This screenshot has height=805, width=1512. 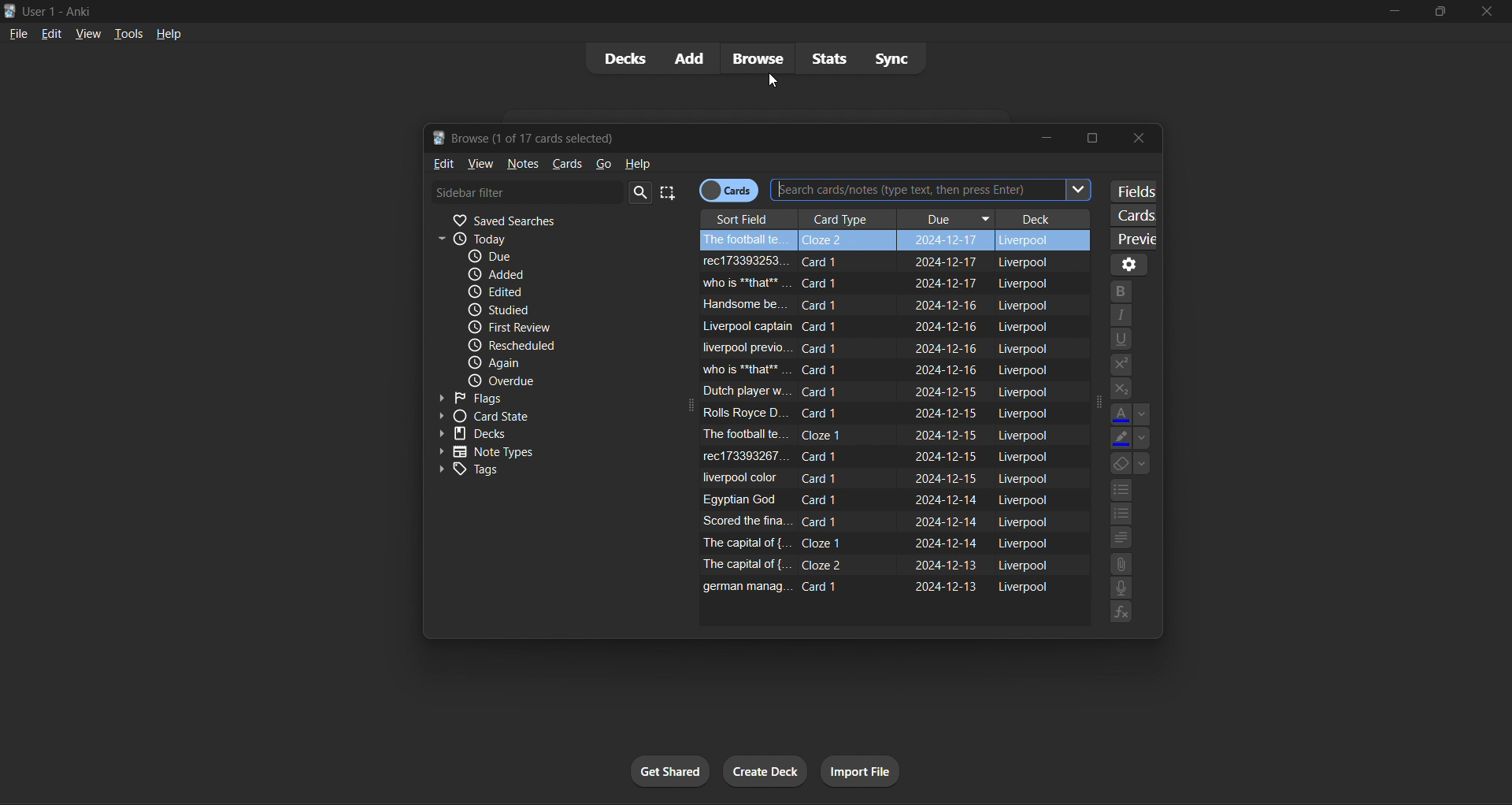 I want to click on first, so click(x=543, y=328).